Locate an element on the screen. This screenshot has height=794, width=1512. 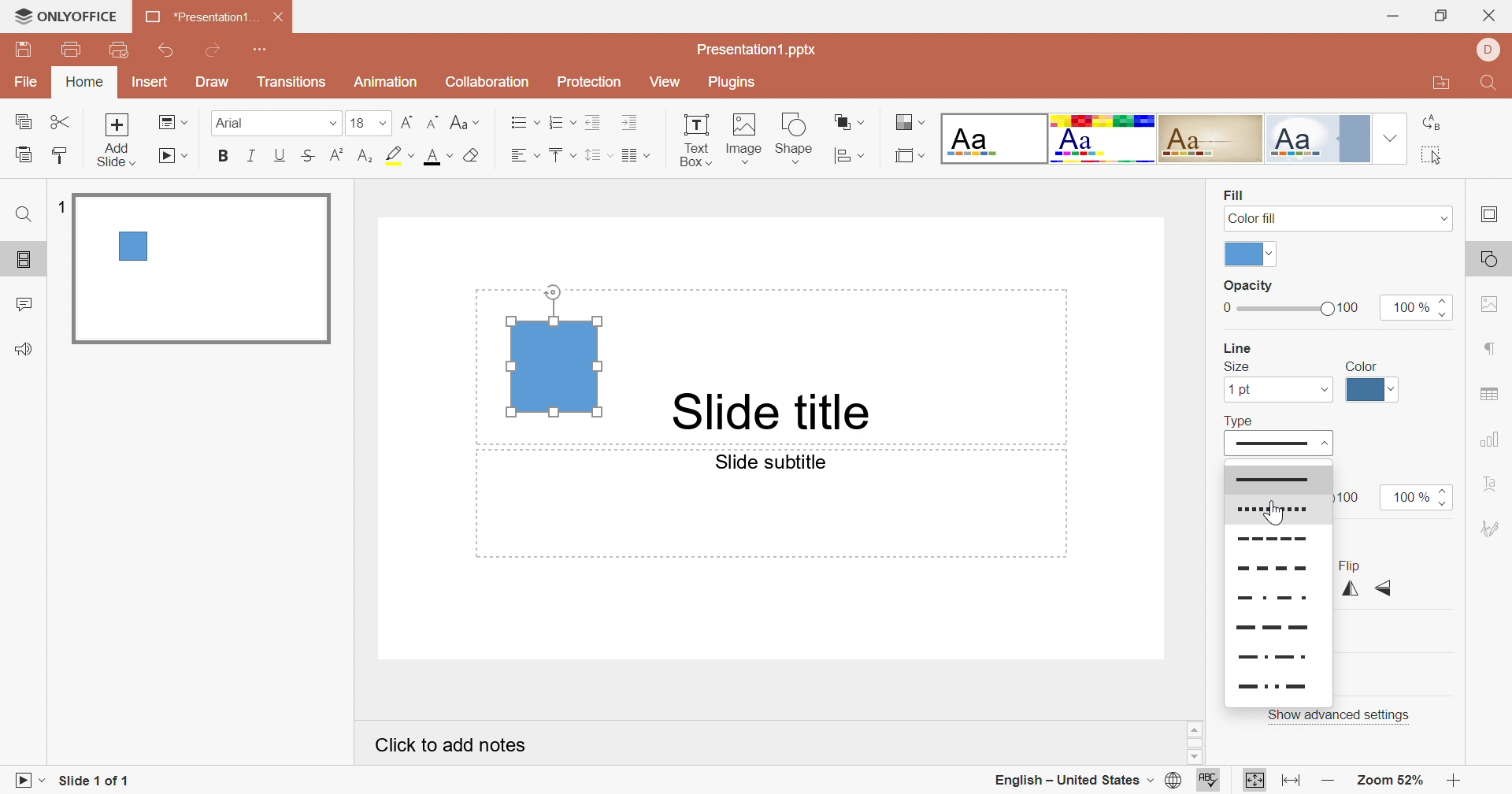
Official is located at coordinates (1324, 139).